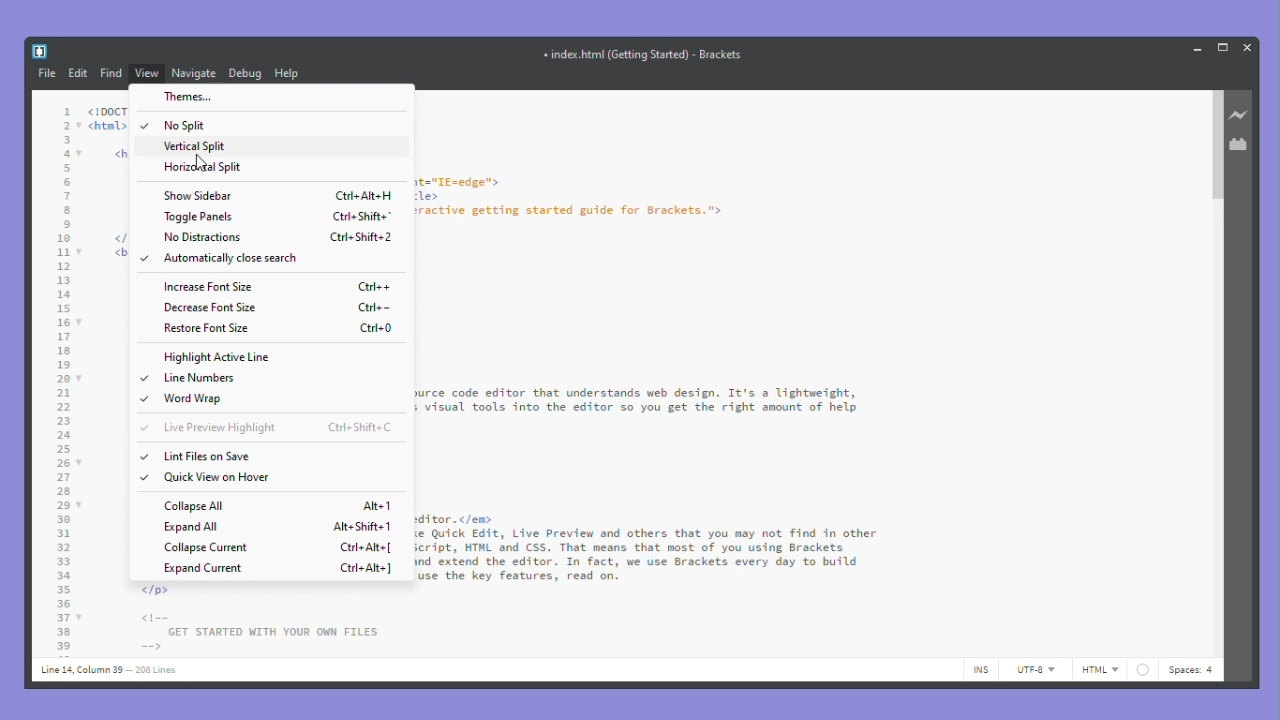 The height and width of the screenshot is (720, 1280). Describe the element at coordinates (63, 421) in the screenshot. I see `23` at that location.